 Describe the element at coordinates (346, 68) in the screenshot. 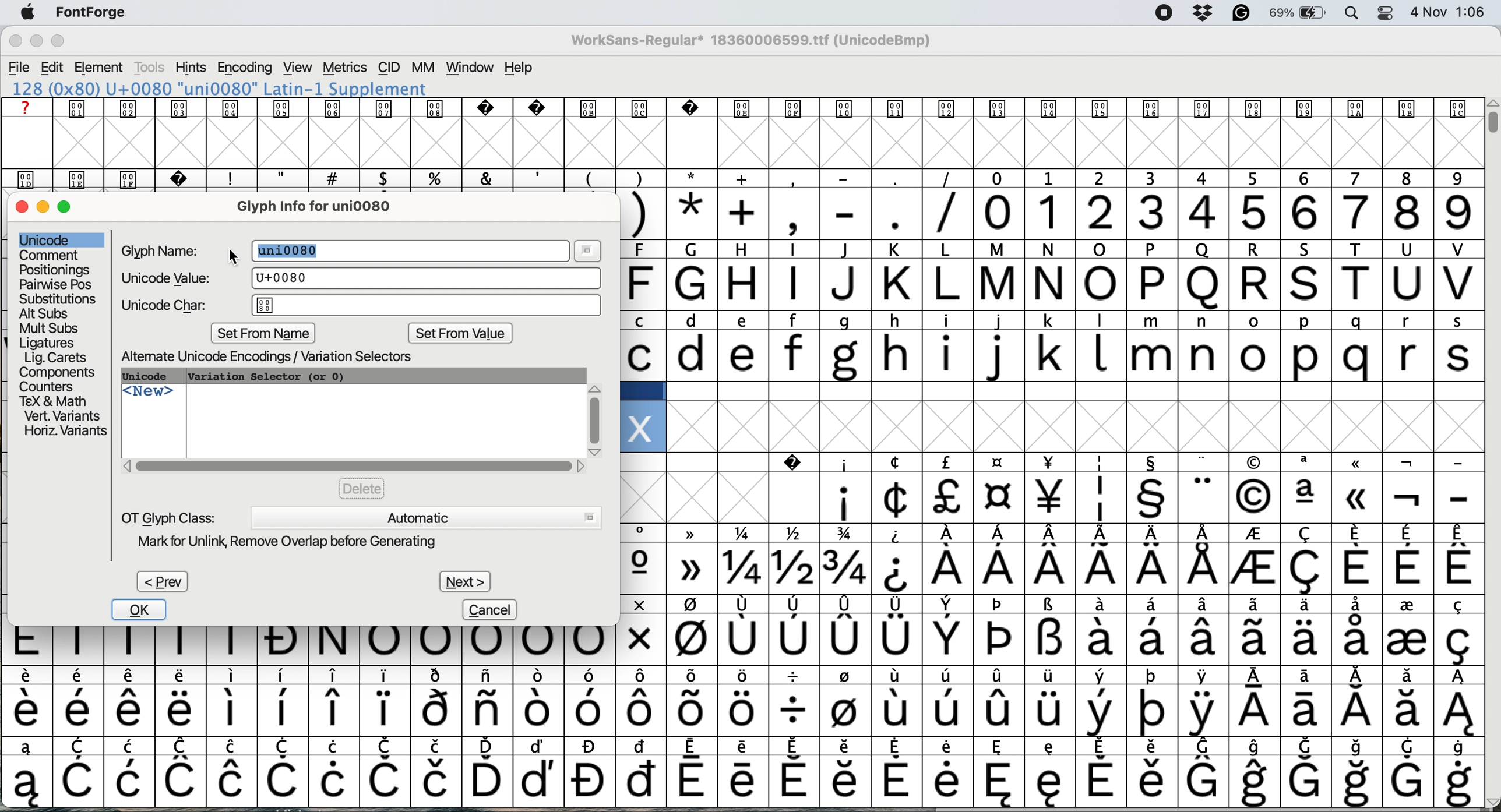

I see `metrics` at that location.